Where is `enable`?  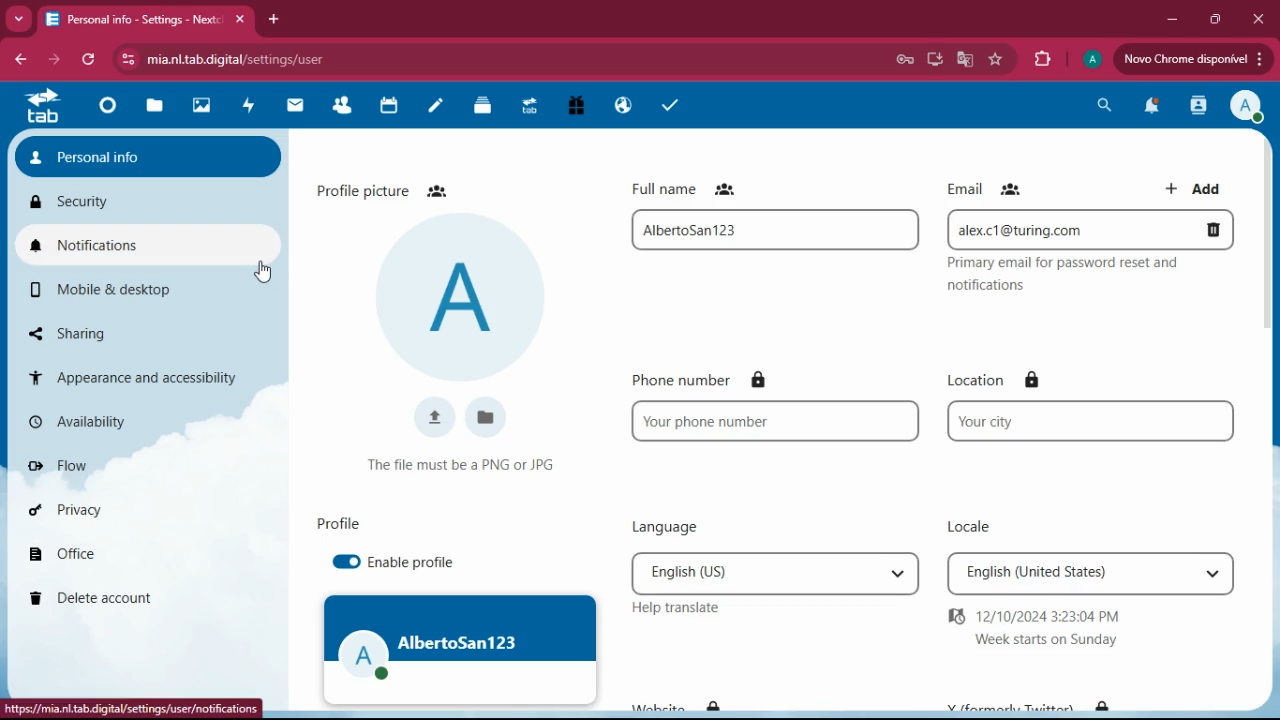 enable is located at coordinates (341, 562).